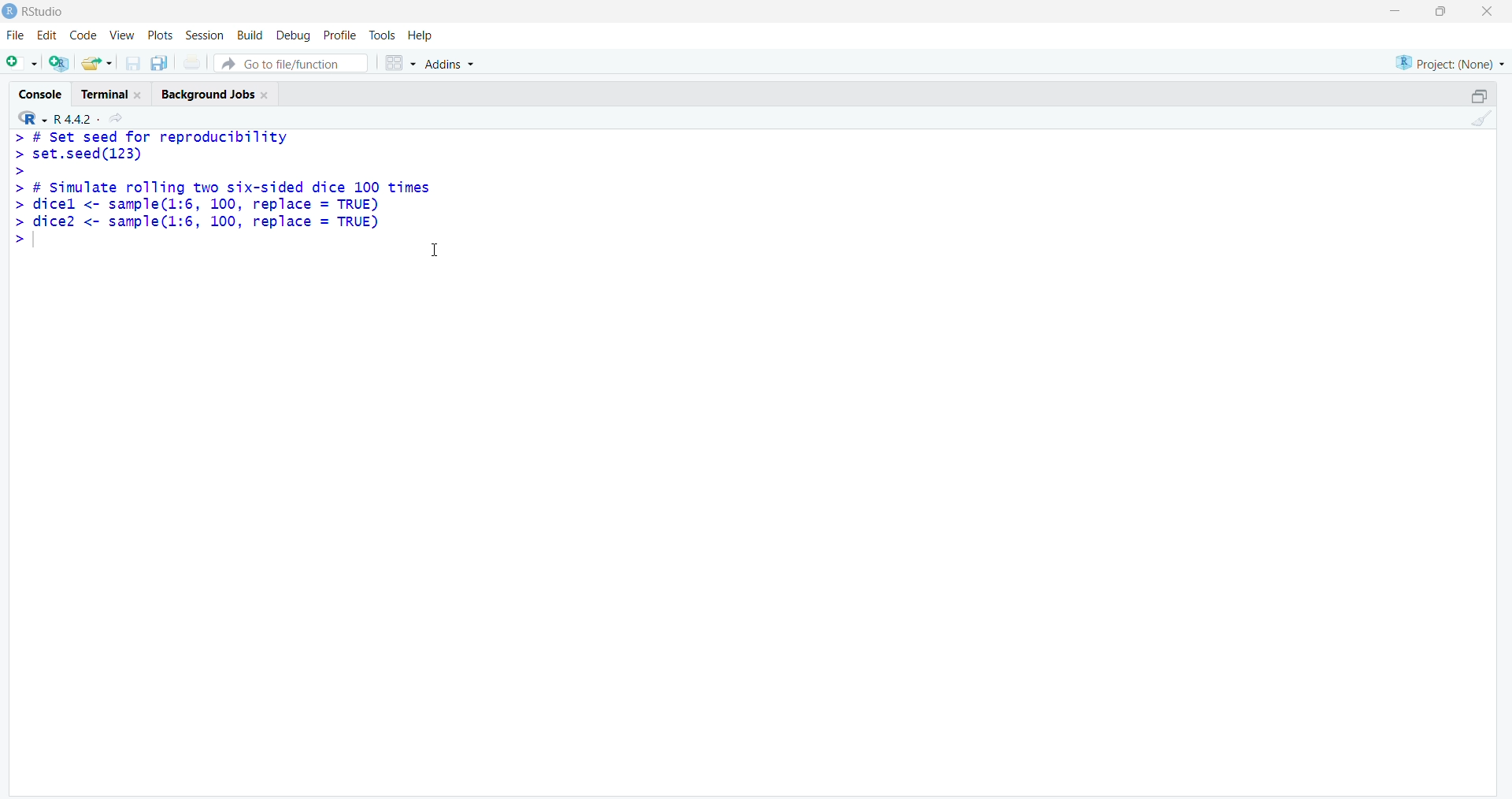 The height and width of the screenshot is (799, 1512). What do you see at coordinates (205, 35) in the screenshot?
I see `session` at bounding box center [205, 35].